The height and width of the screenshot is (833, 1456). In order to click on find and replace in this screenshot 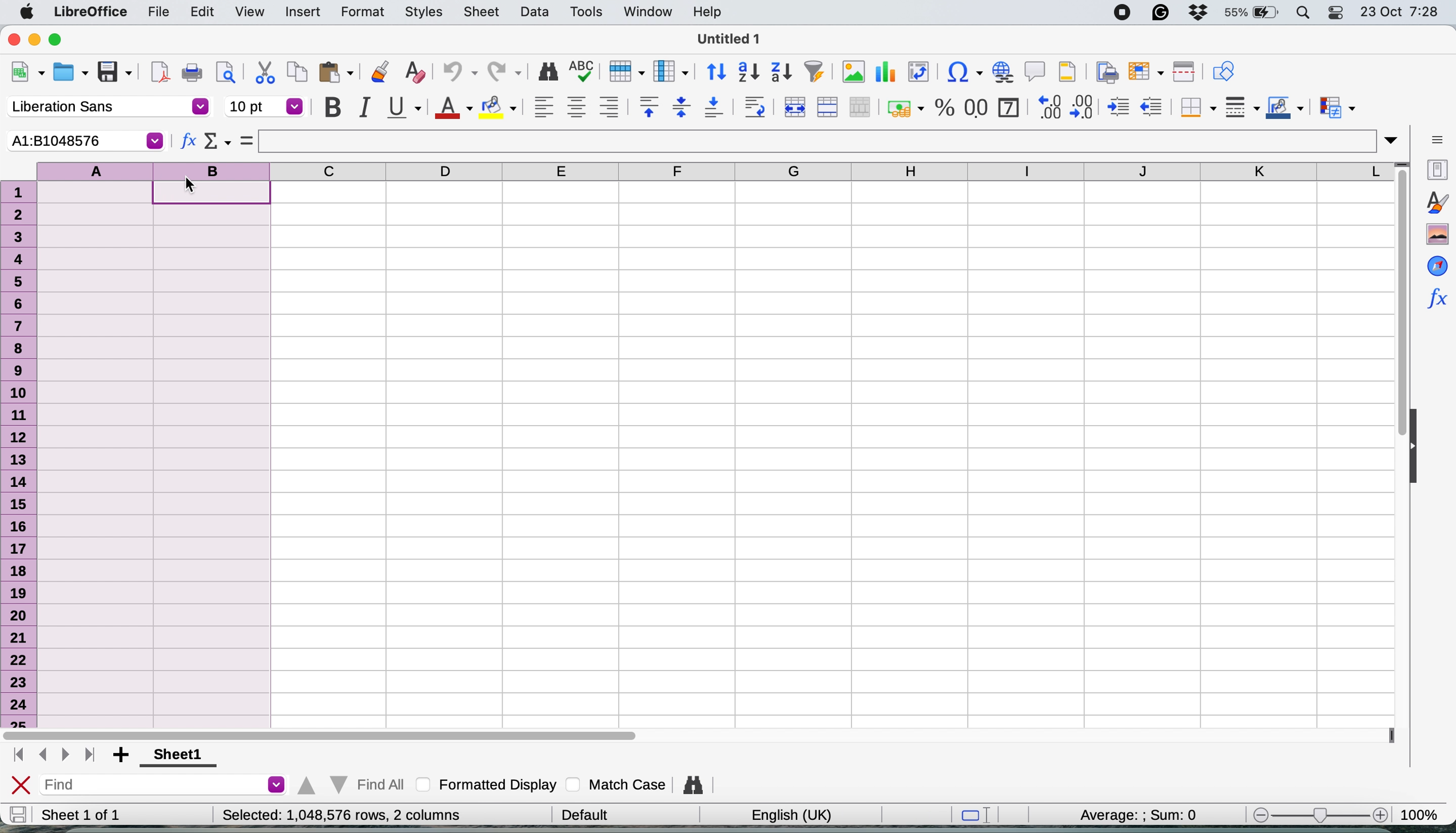, I will do `click(690, 786)`.